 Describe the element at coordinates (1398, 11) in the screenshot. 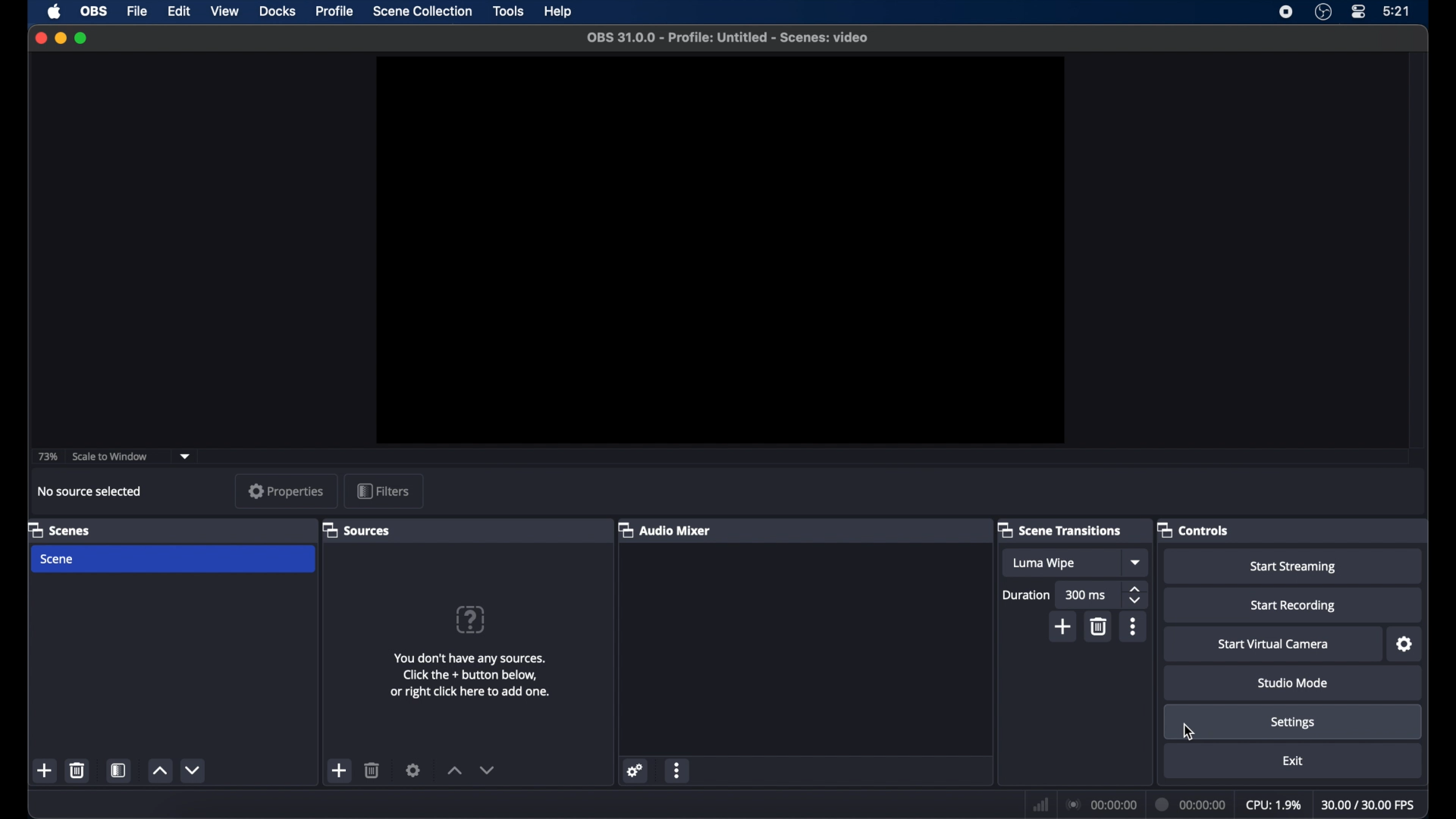

I see `time` at that location.